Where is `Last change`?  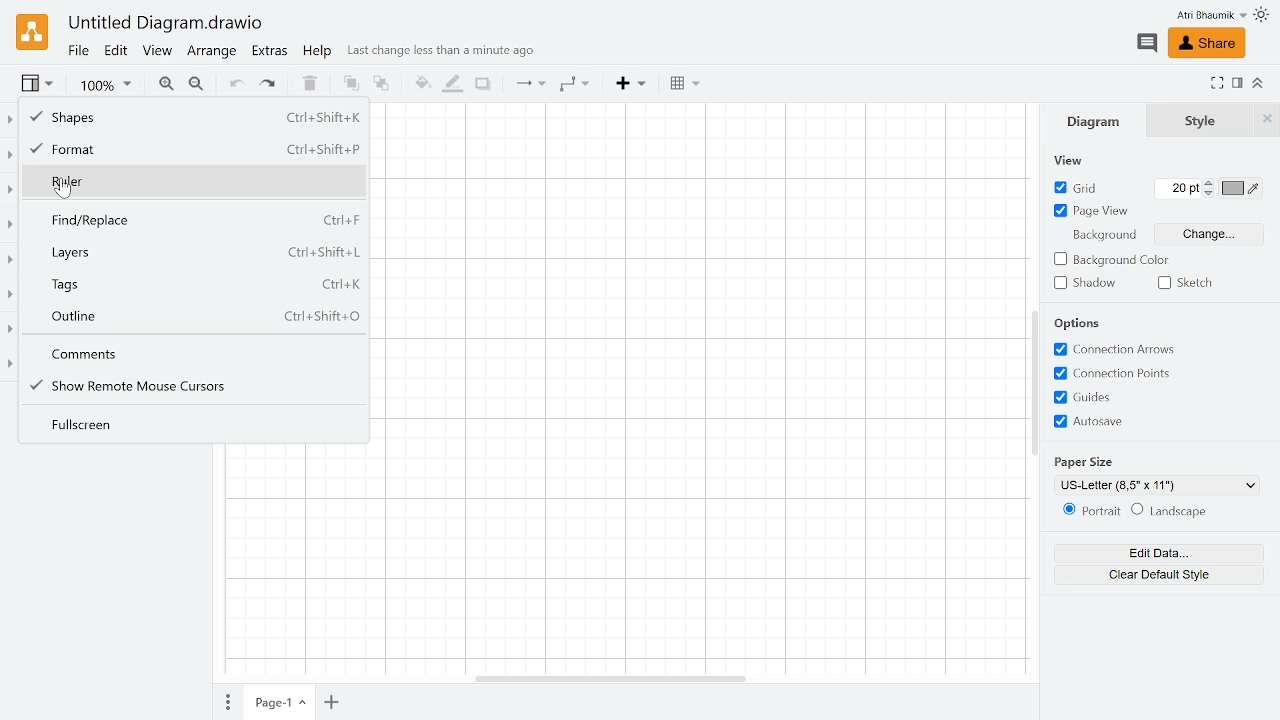
Last change is located at coordinates (446, 53).